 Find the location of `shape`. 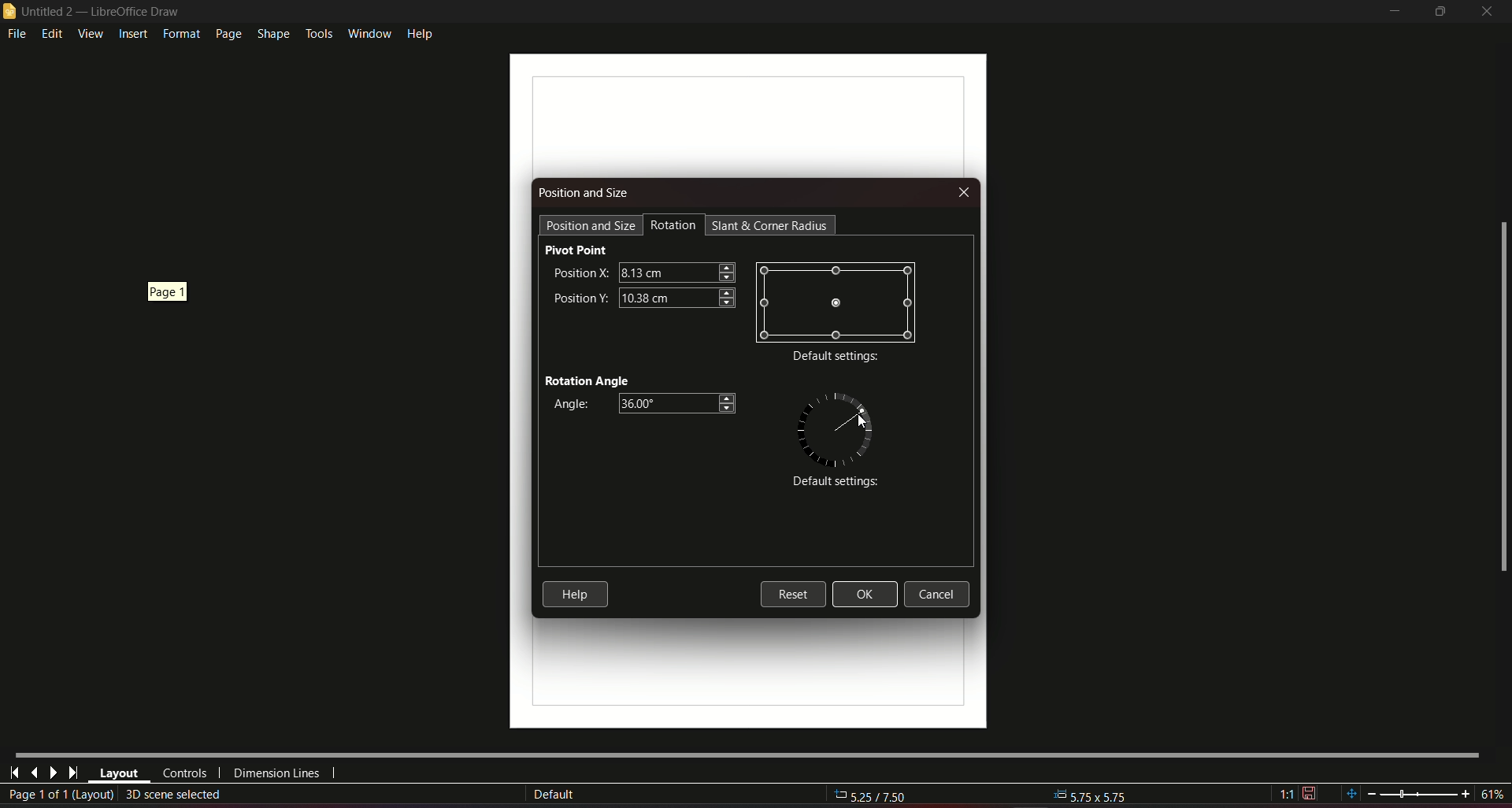

shape is located at coordinates (272, 32).